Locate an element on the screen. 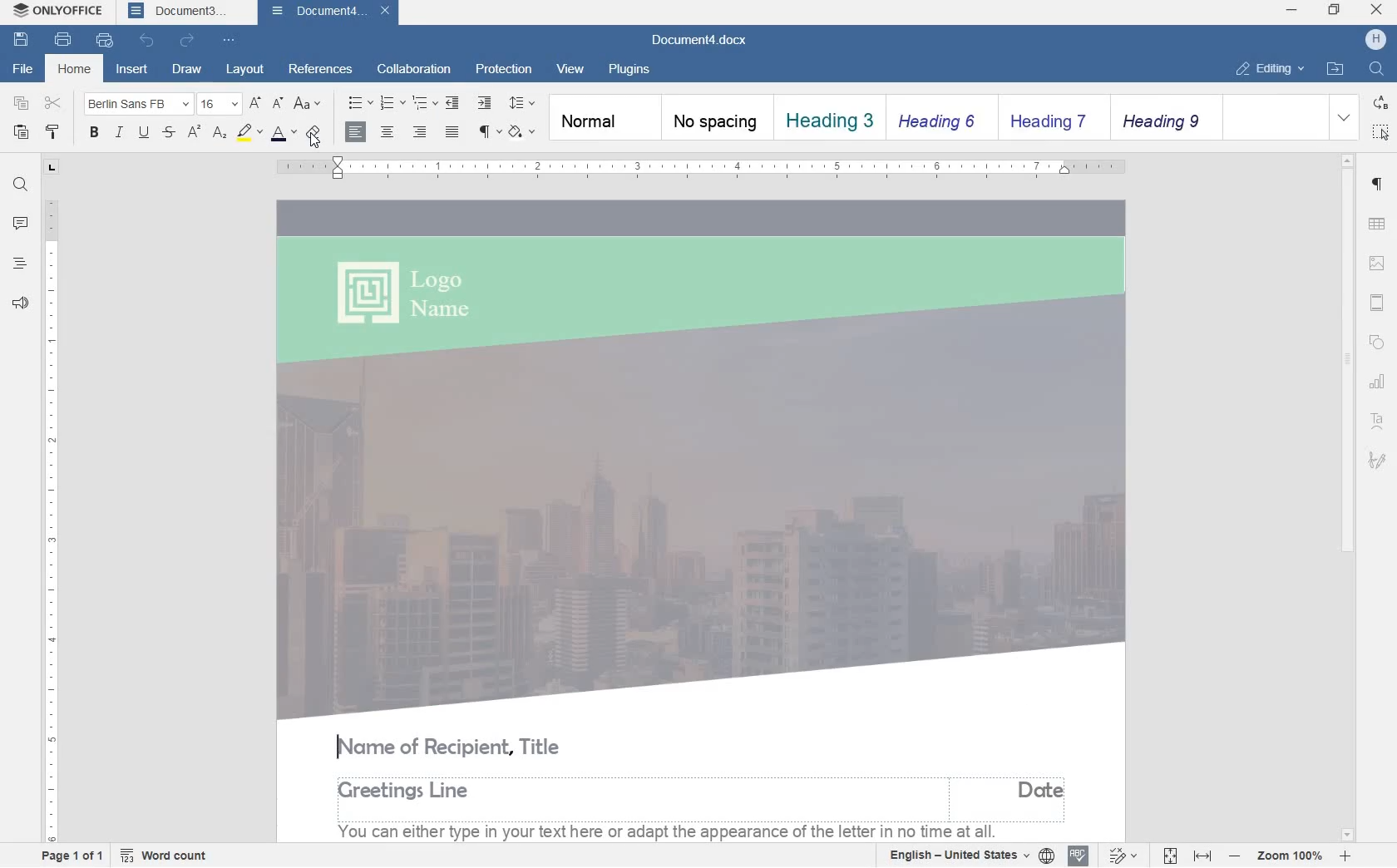  undo is located at coordinates (147, 41).